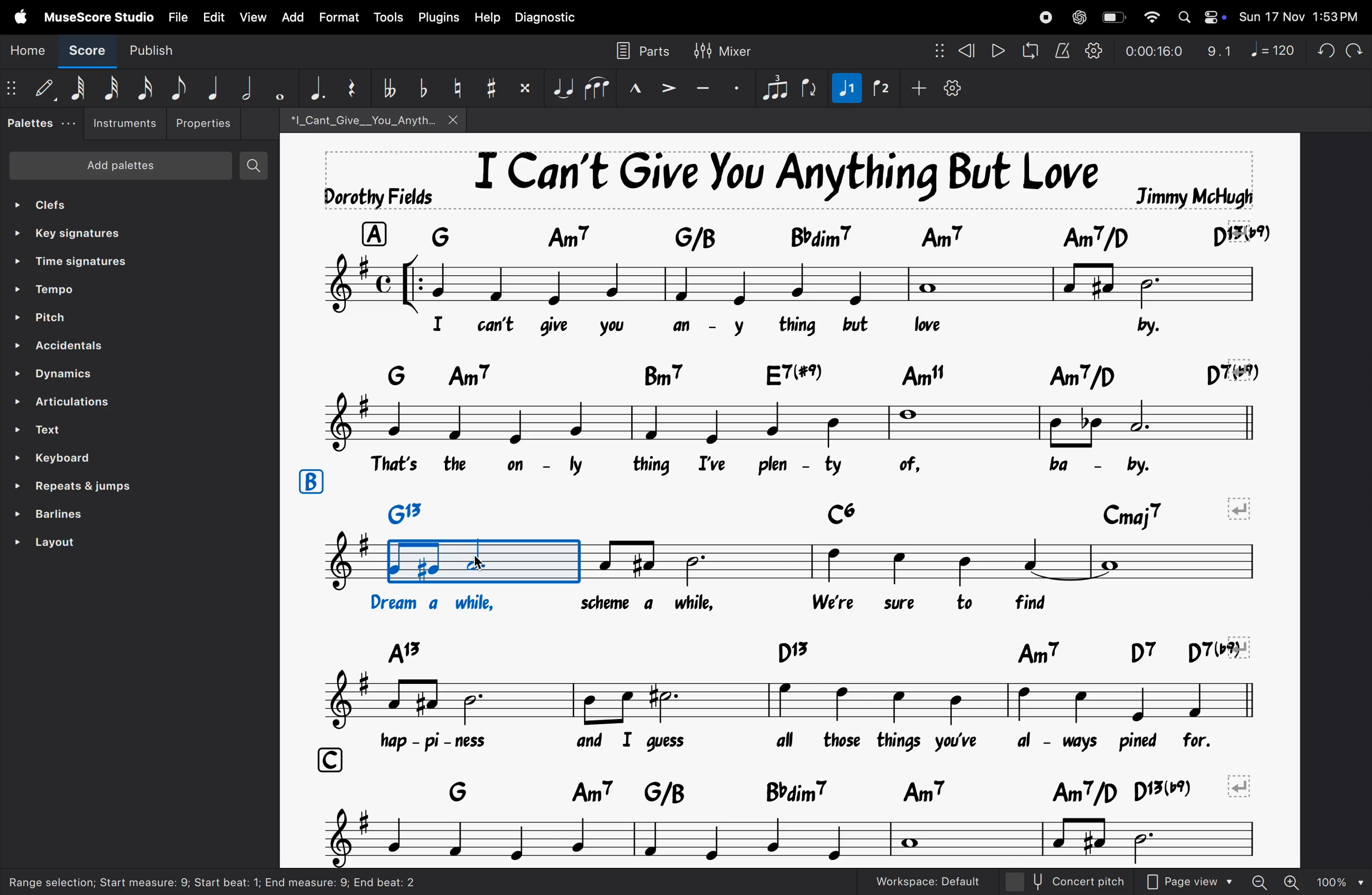  Describe the element at coordinates (1085, 881) in the screenshot. I see `concept pitch` at that location.